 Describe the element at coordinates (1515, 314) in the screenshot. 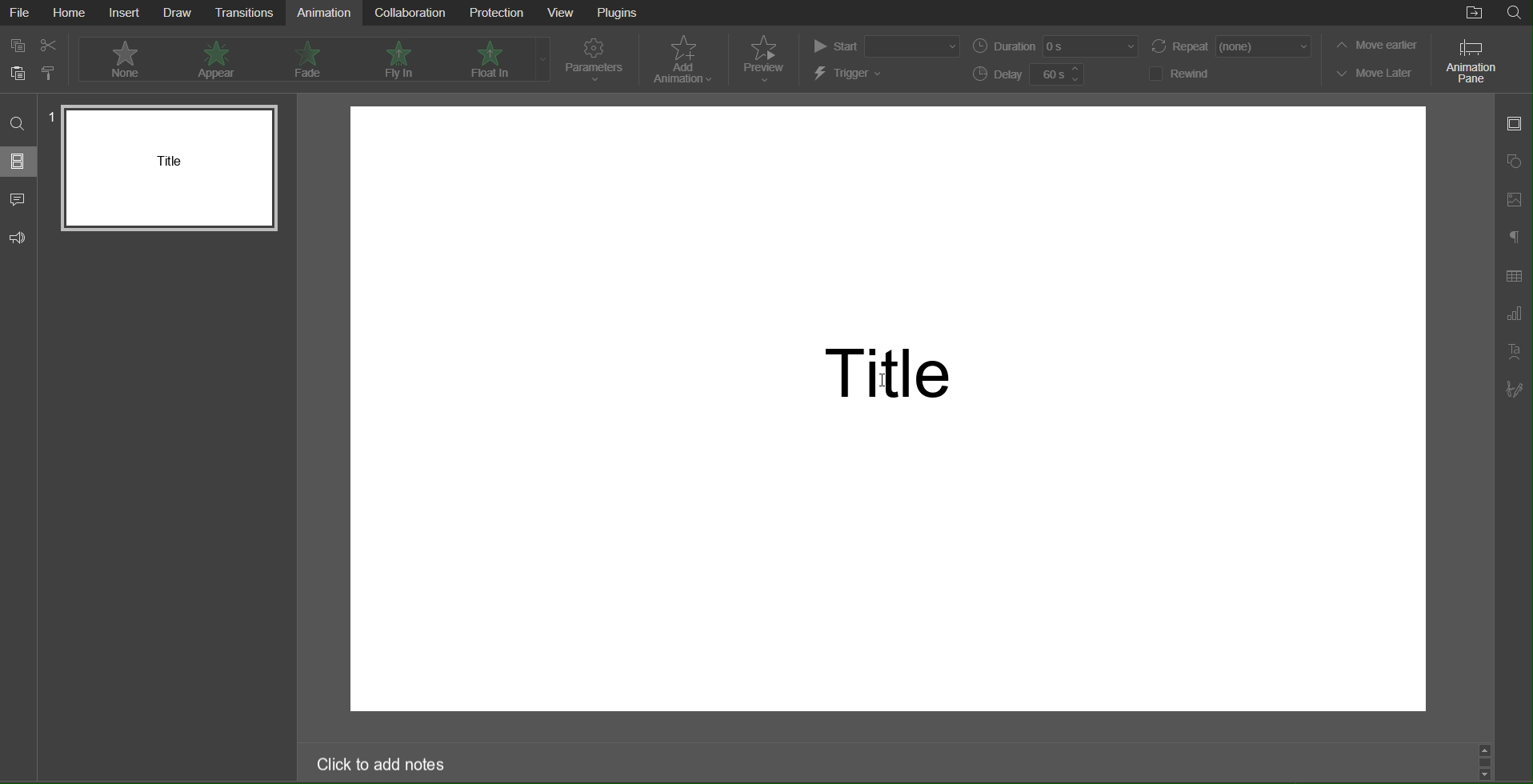

I see `Graph Settings` at that location.